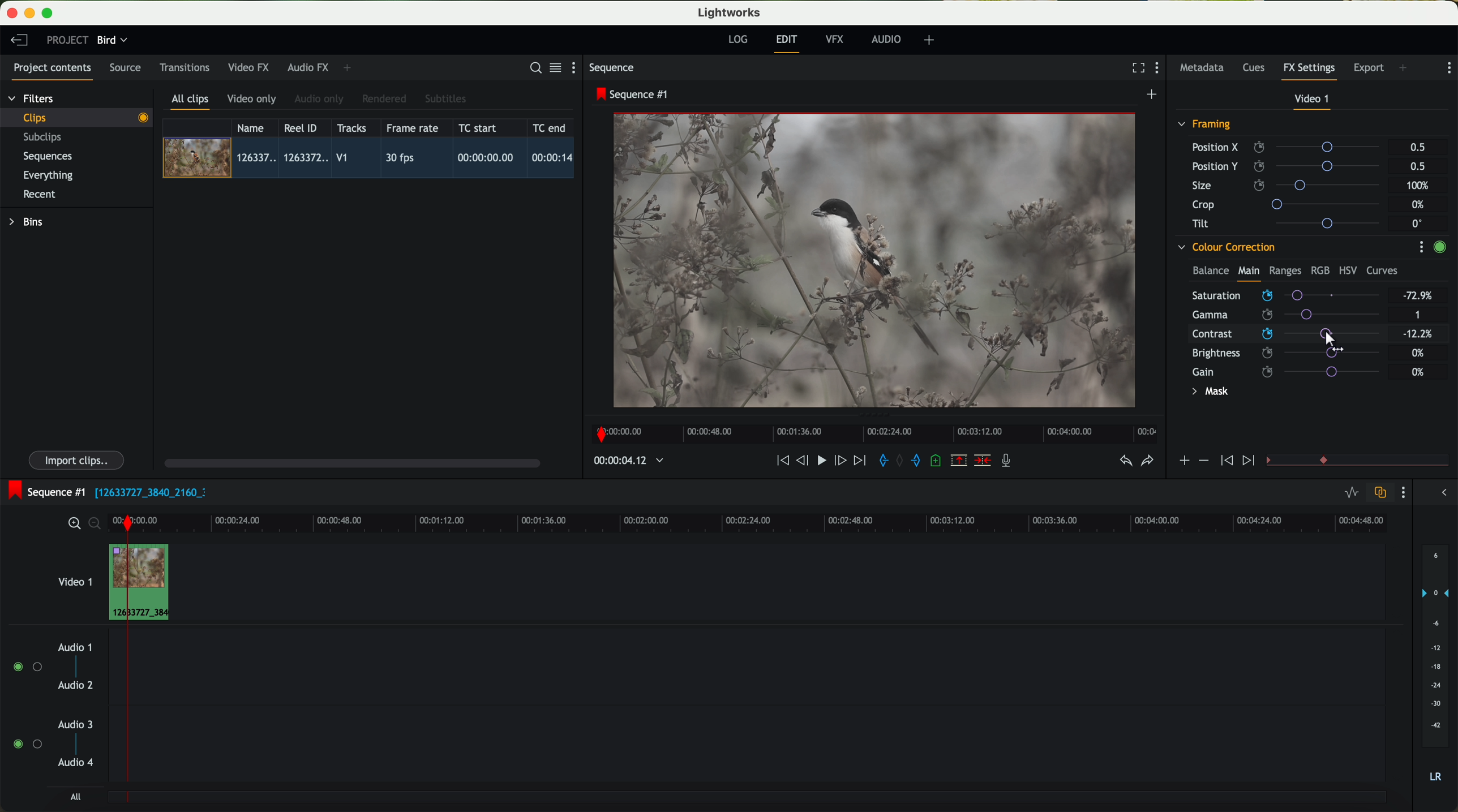 The width and height of the screenshot is (1458, 812). I want to click on nudge one frame back, so click(804, 462).